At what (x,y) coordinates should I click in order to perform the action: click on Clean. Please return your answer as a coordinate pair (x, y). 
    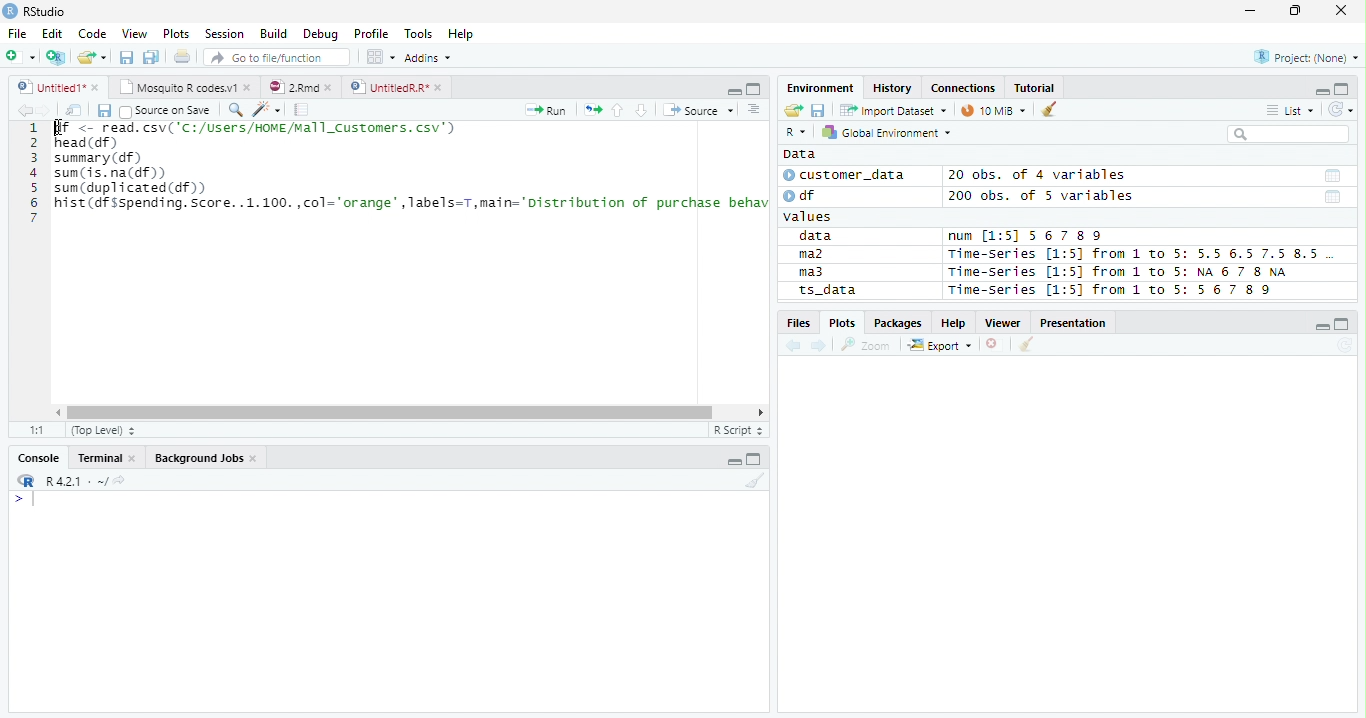
    Looking at the image, I should click on (1051, 108).